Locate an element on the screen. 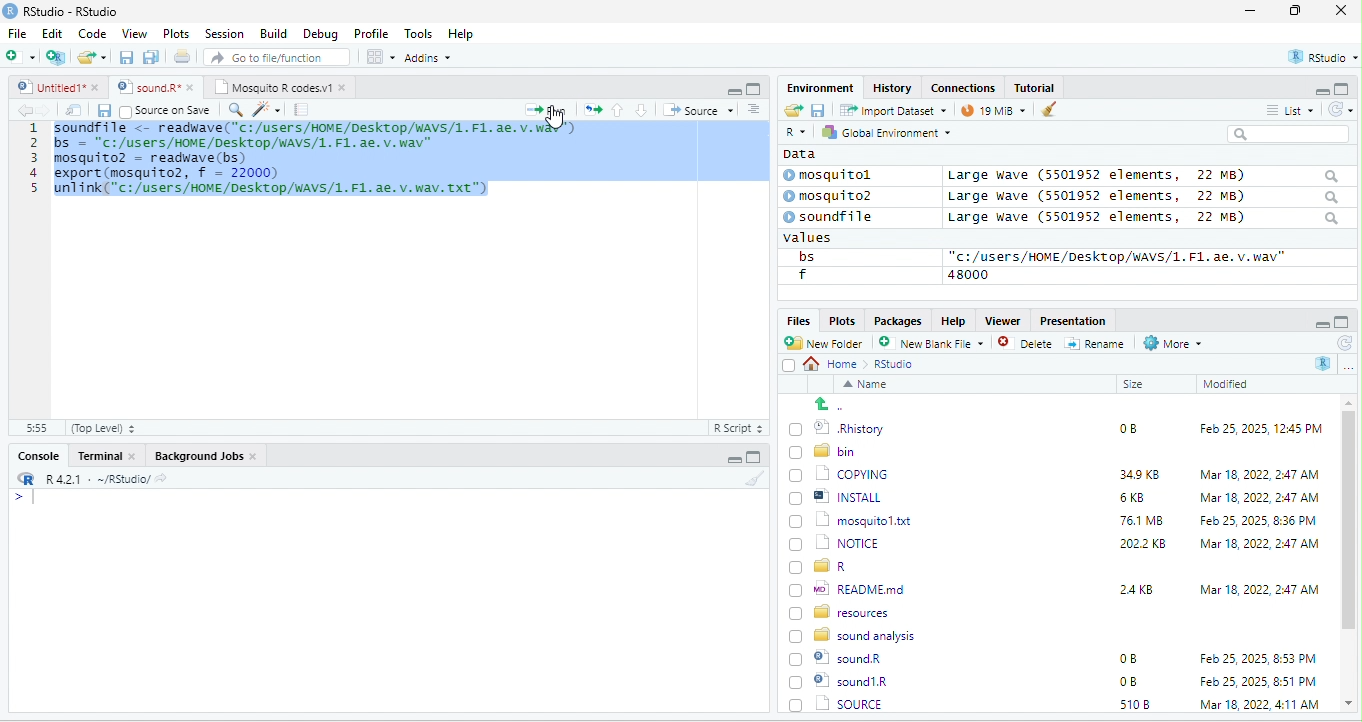 The width and height of the screenshot is (1362, 722). | @] INSTALL is located at coordinates (839, 496).